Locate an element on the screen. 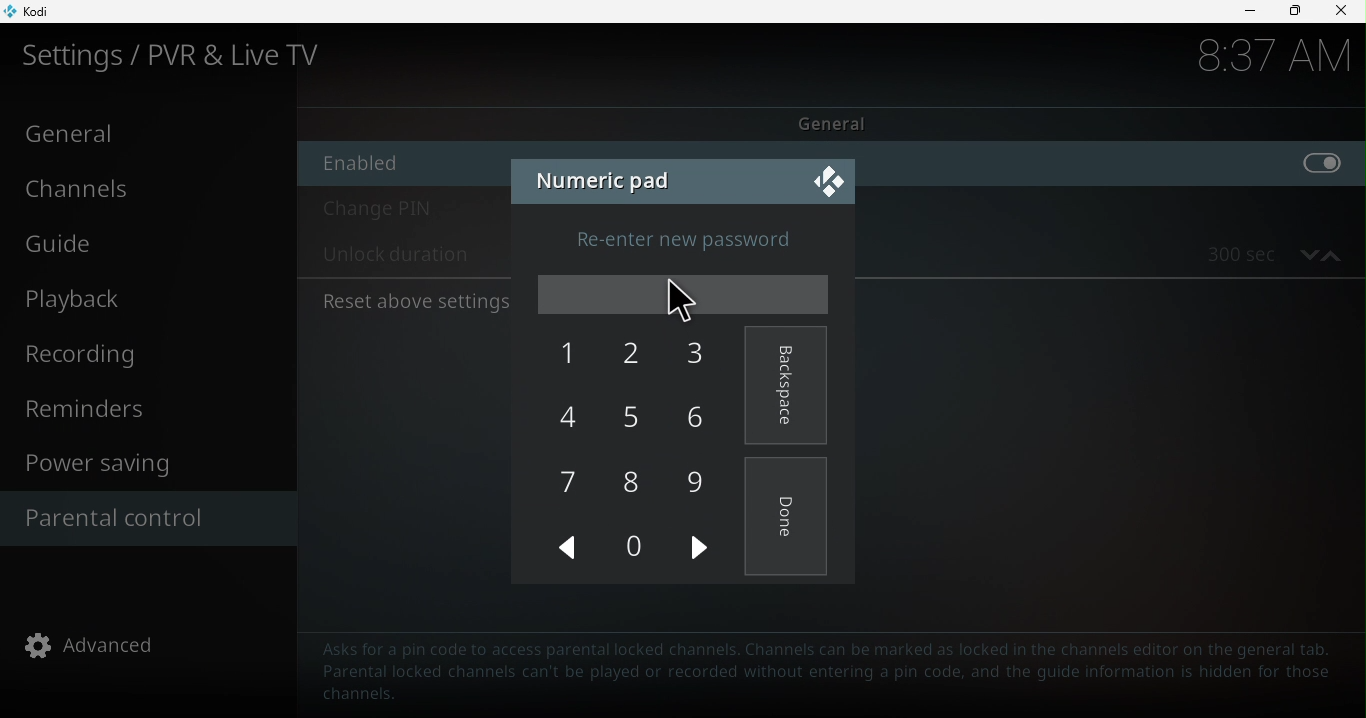  Reminders is located at coordinates (152, 412).